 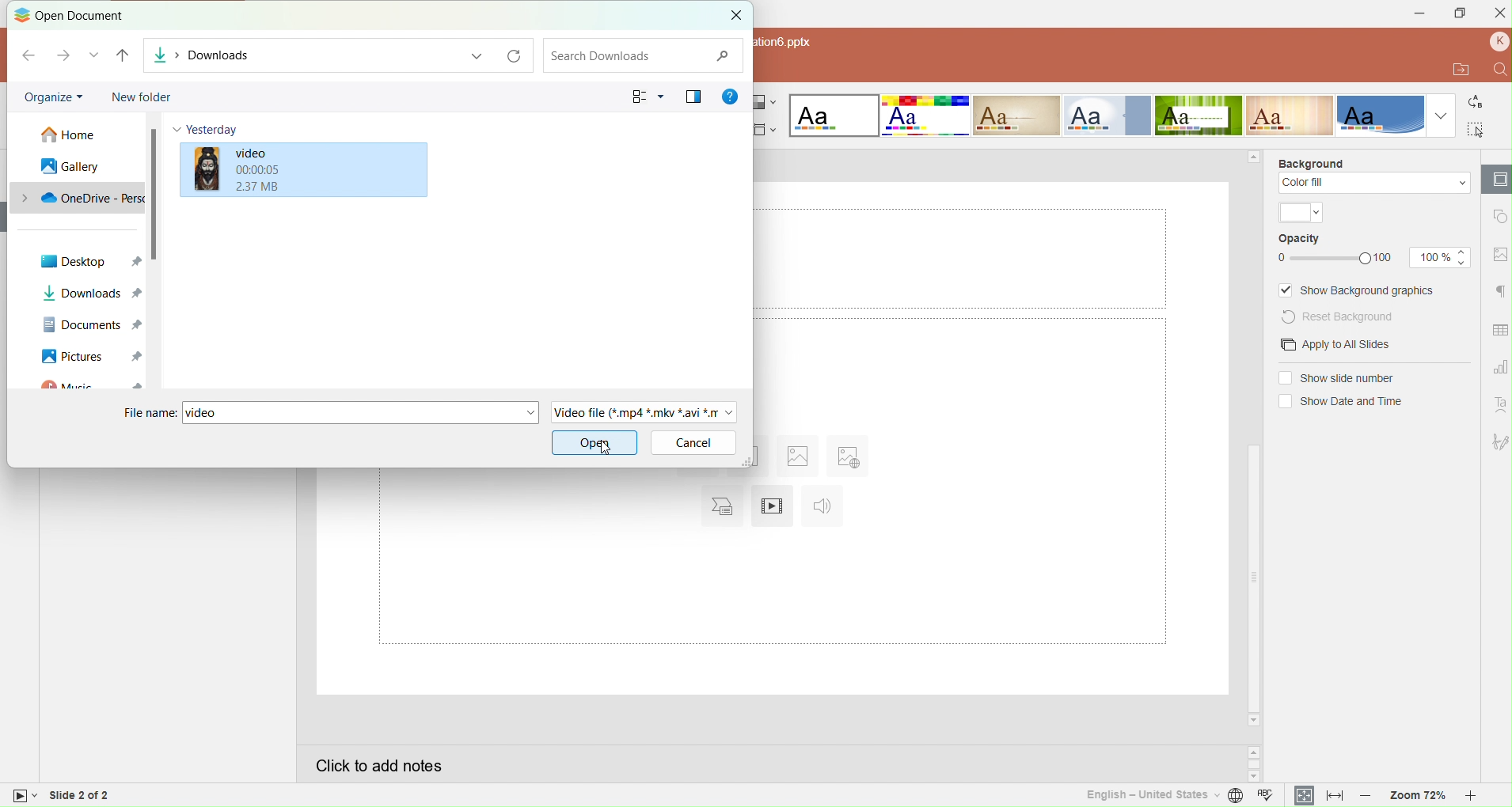 I want to click on Official, so click(x=1107, y=116).